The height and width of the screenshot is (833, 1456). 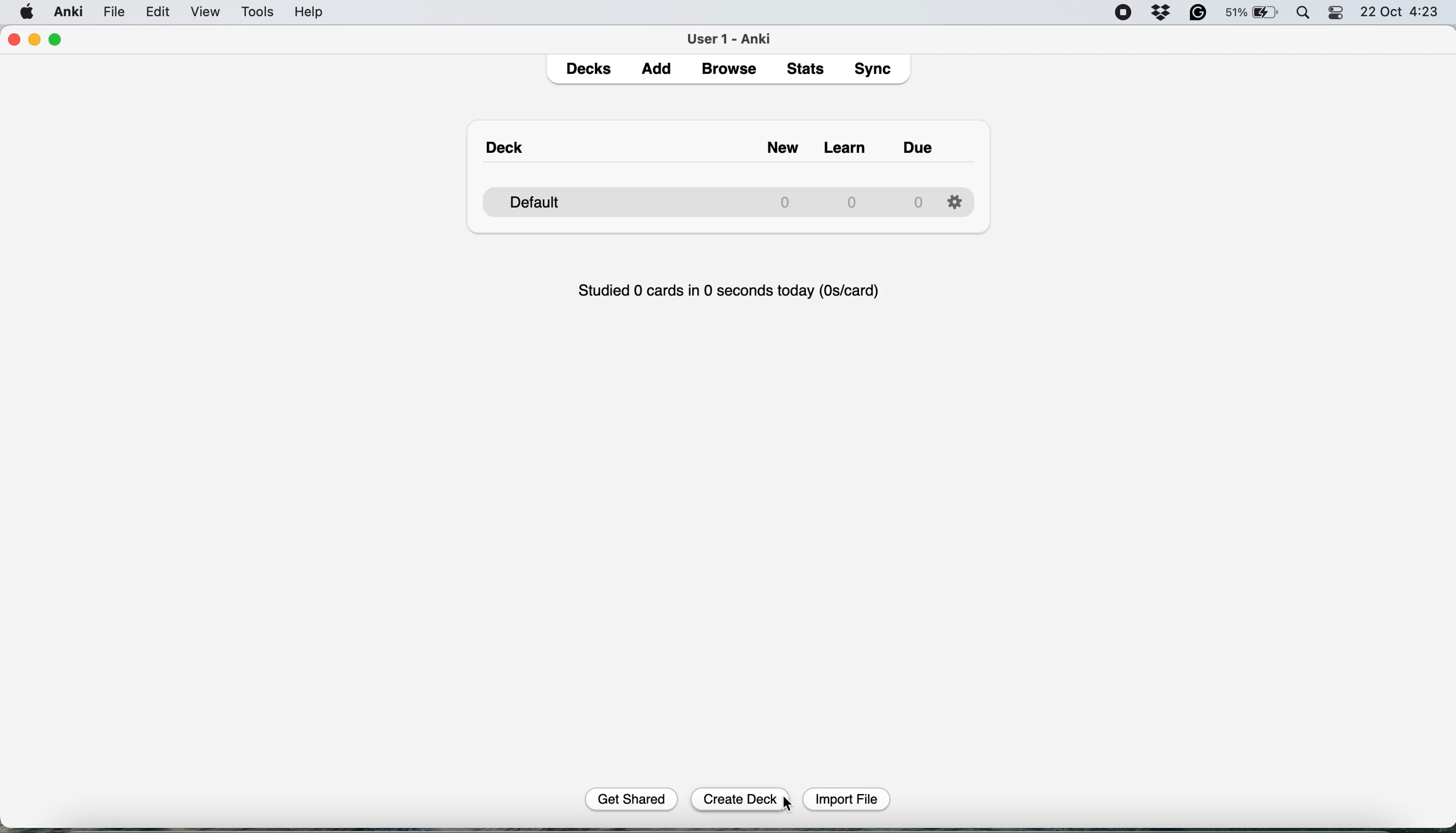 What do you see at coordinates (259, 14) in the screenshot?
I see `tools` at bounding box center [259, 14].